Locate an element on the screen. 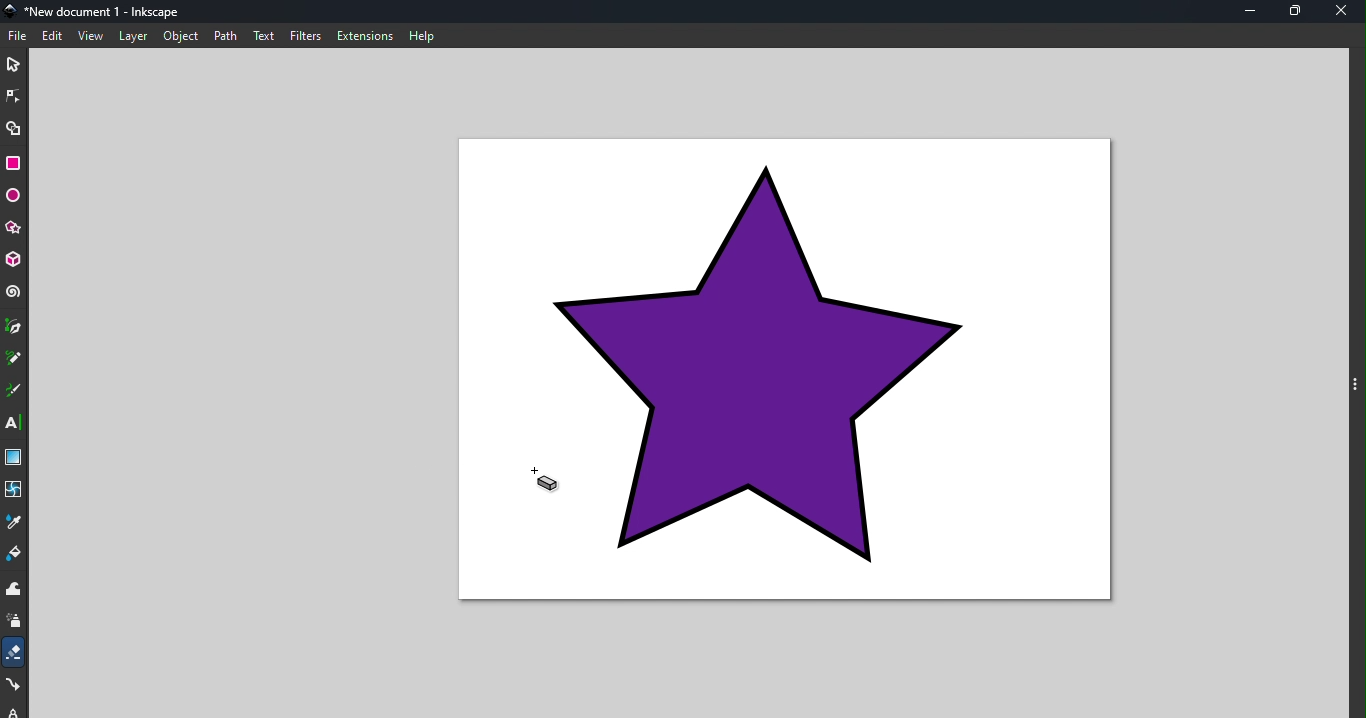  view is located at coordinates (91, 37).